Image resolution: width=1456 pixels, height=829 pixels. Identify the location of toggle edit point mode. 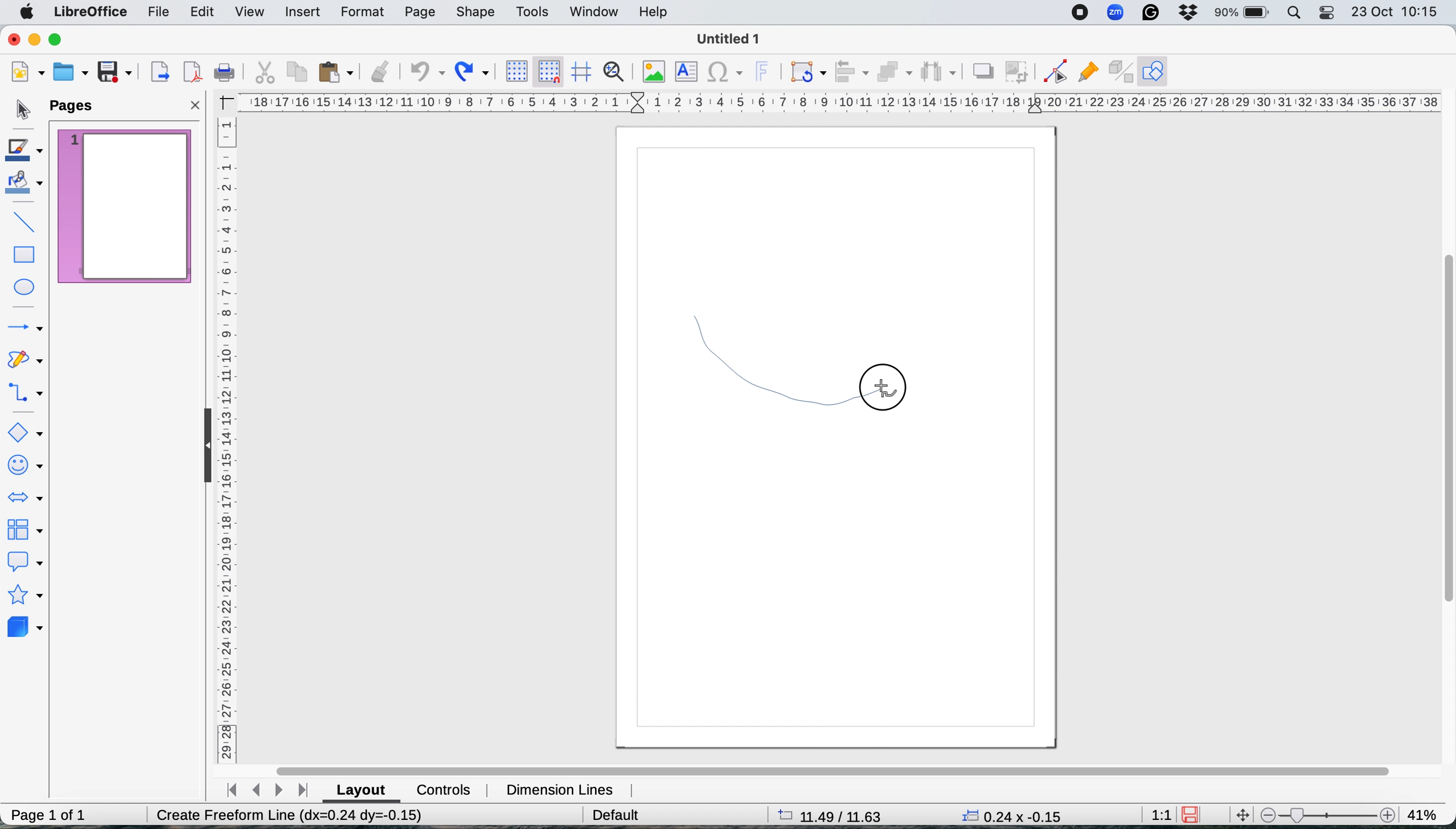
(1053, 71).